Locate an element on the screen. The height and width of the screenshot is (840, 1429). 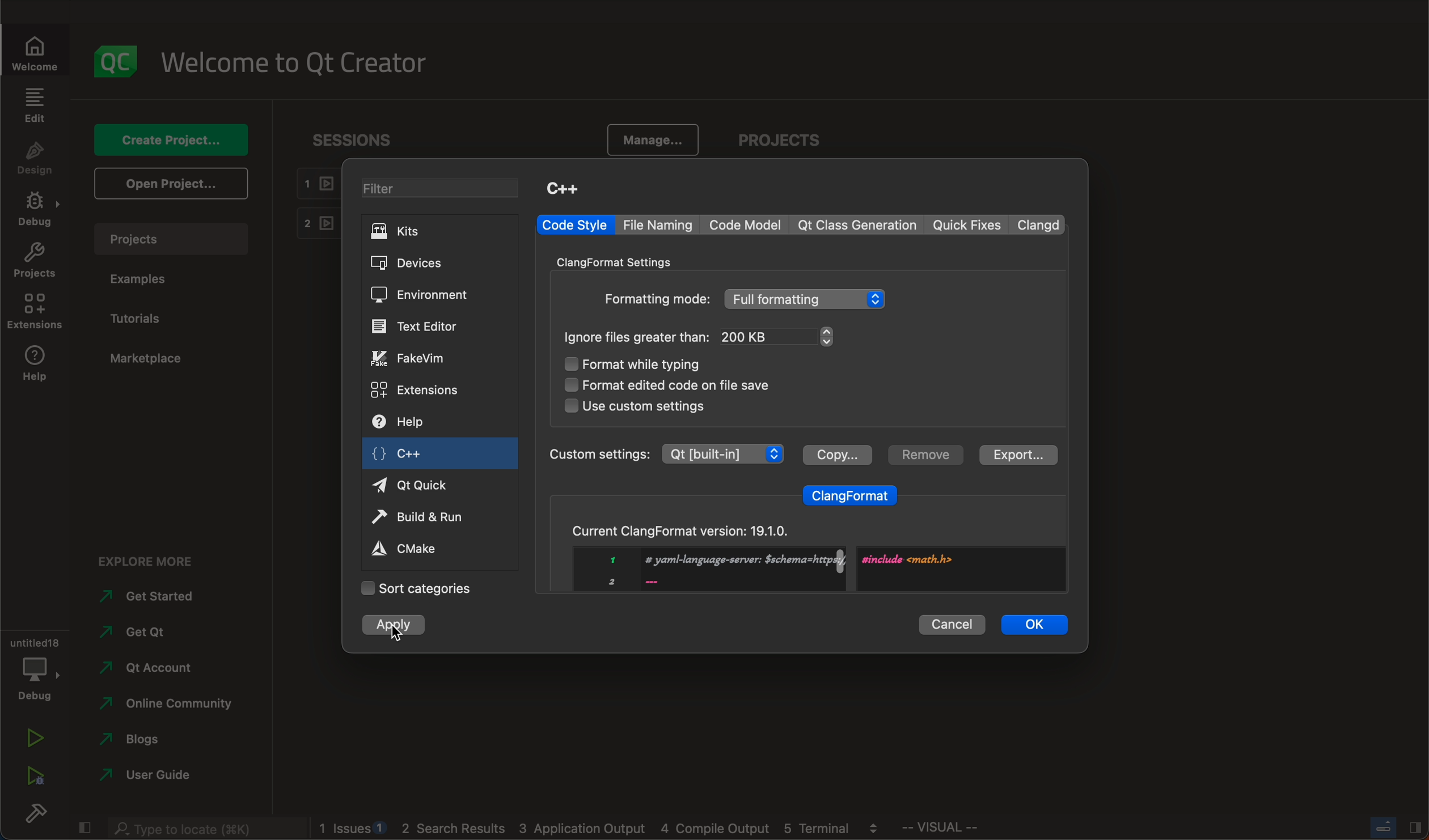
qt is located at coordinates (423, 484).